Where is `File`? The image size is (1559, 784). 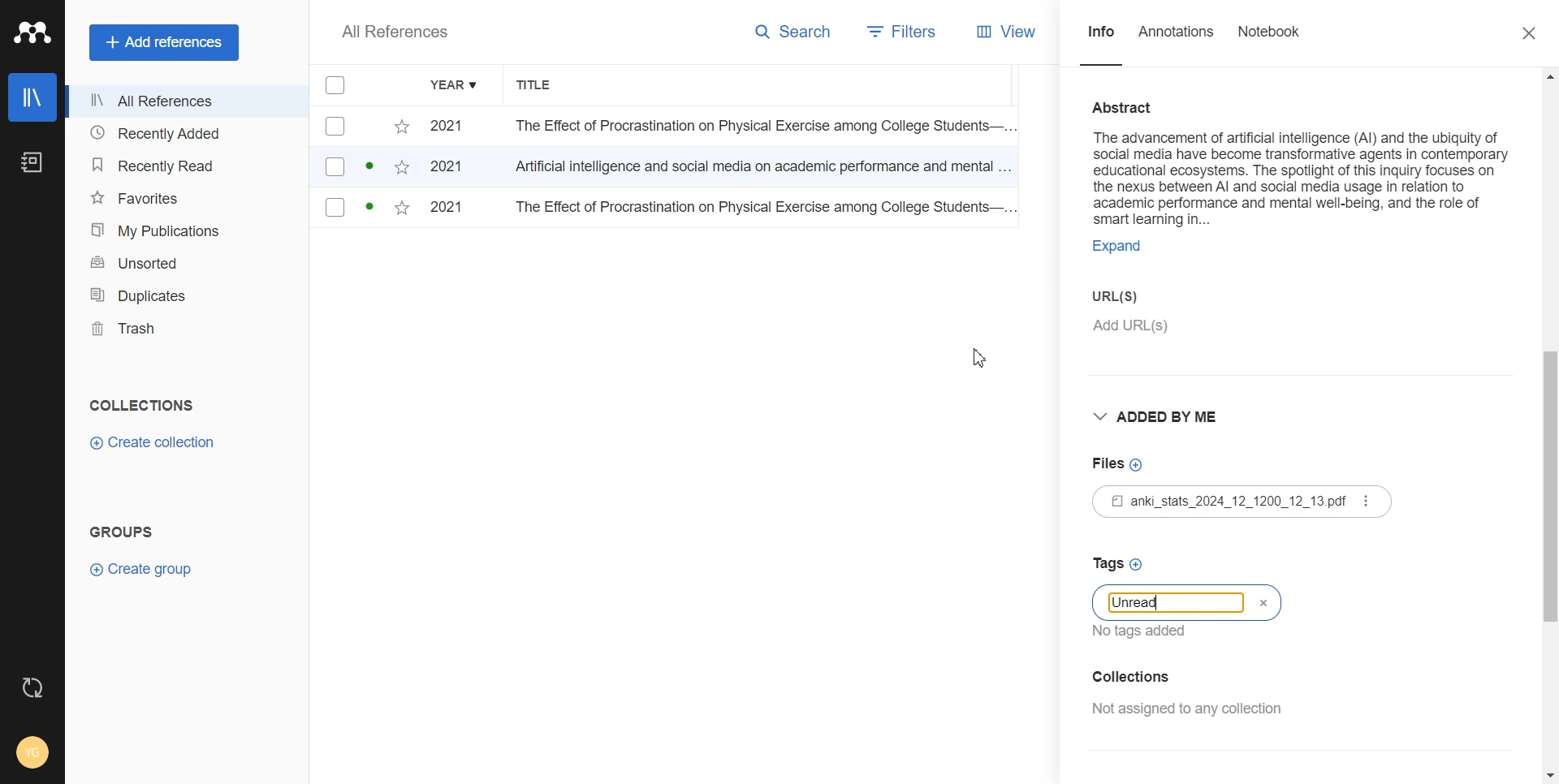 File is located at coordinates (1241, 502).